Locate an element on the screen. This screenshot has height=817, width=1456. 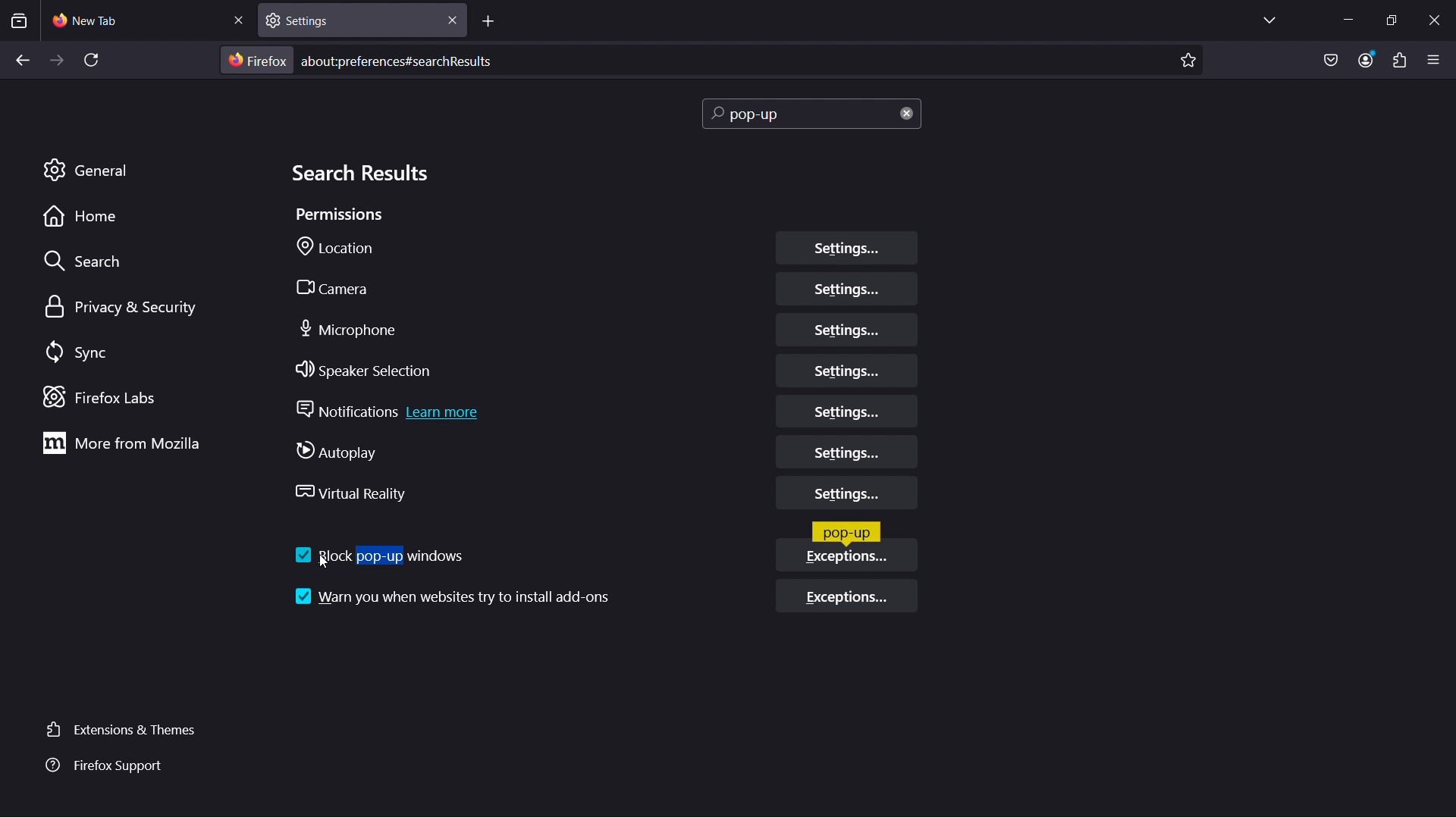
Forward is located at coordinates (55, 62).